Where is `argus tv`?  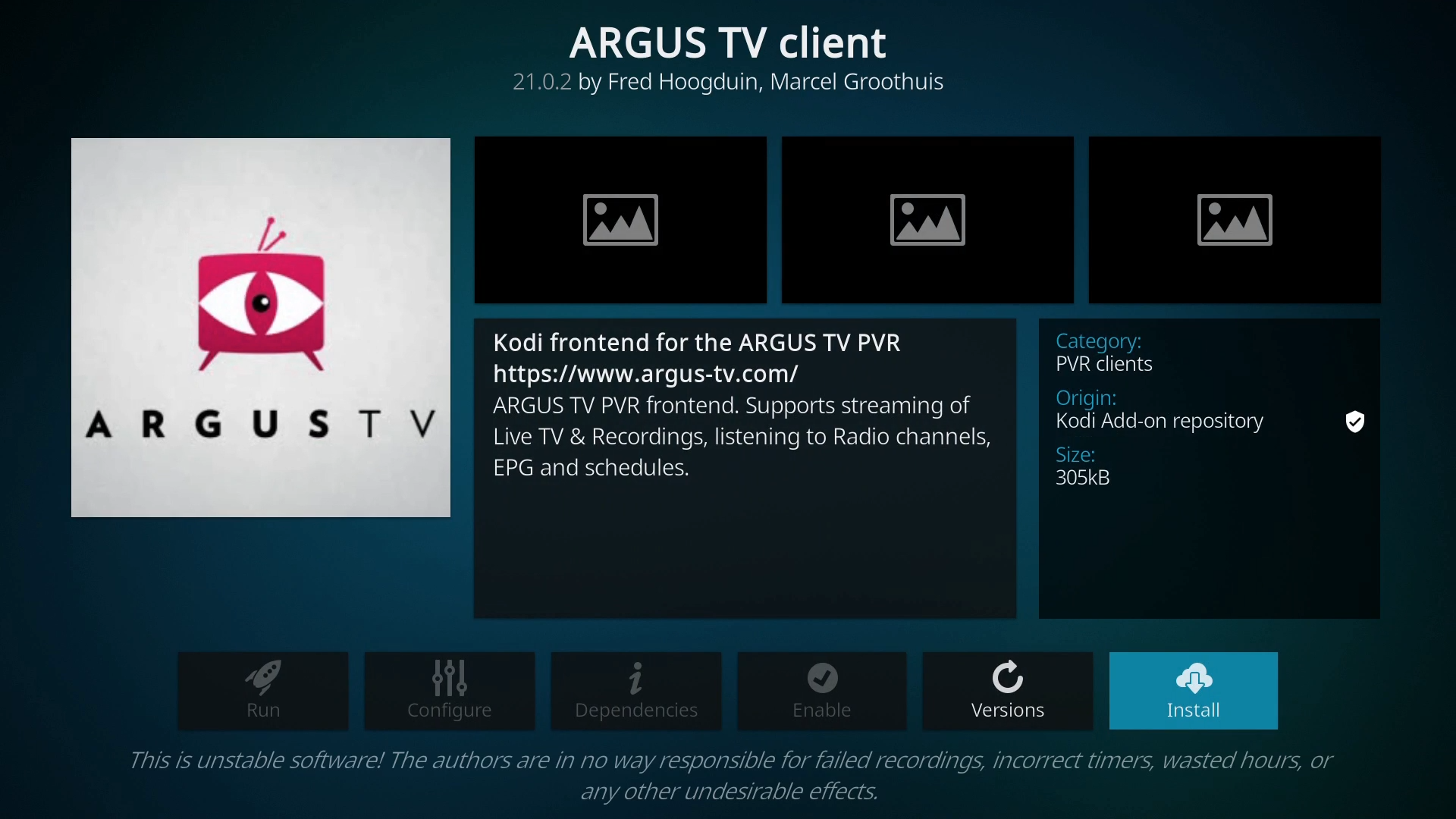 argus tv is located at coordinates (259, 326).